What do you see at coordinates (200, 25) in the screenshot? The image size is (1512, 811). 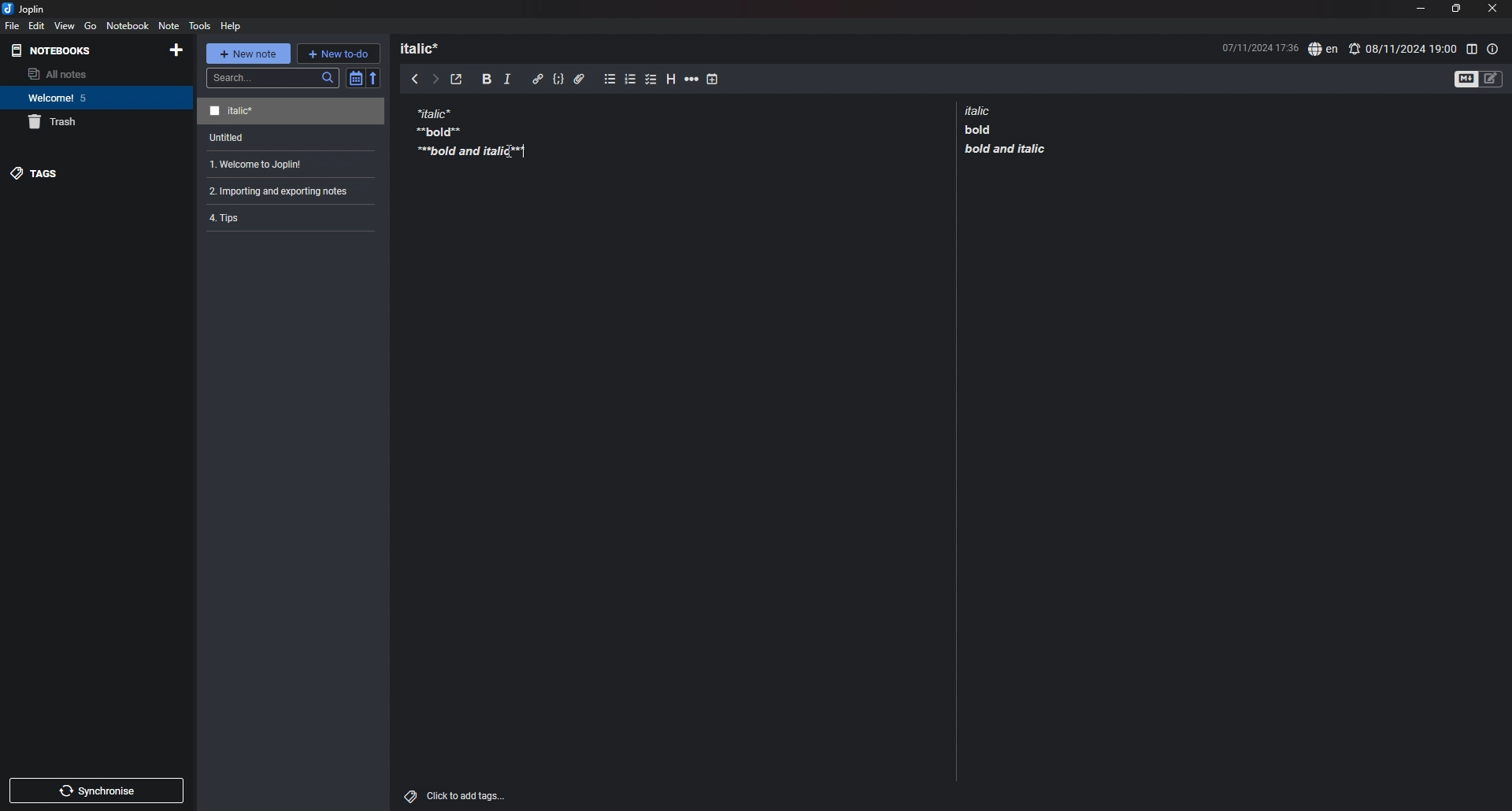 I see `tools` at bounding box center [200, 25].